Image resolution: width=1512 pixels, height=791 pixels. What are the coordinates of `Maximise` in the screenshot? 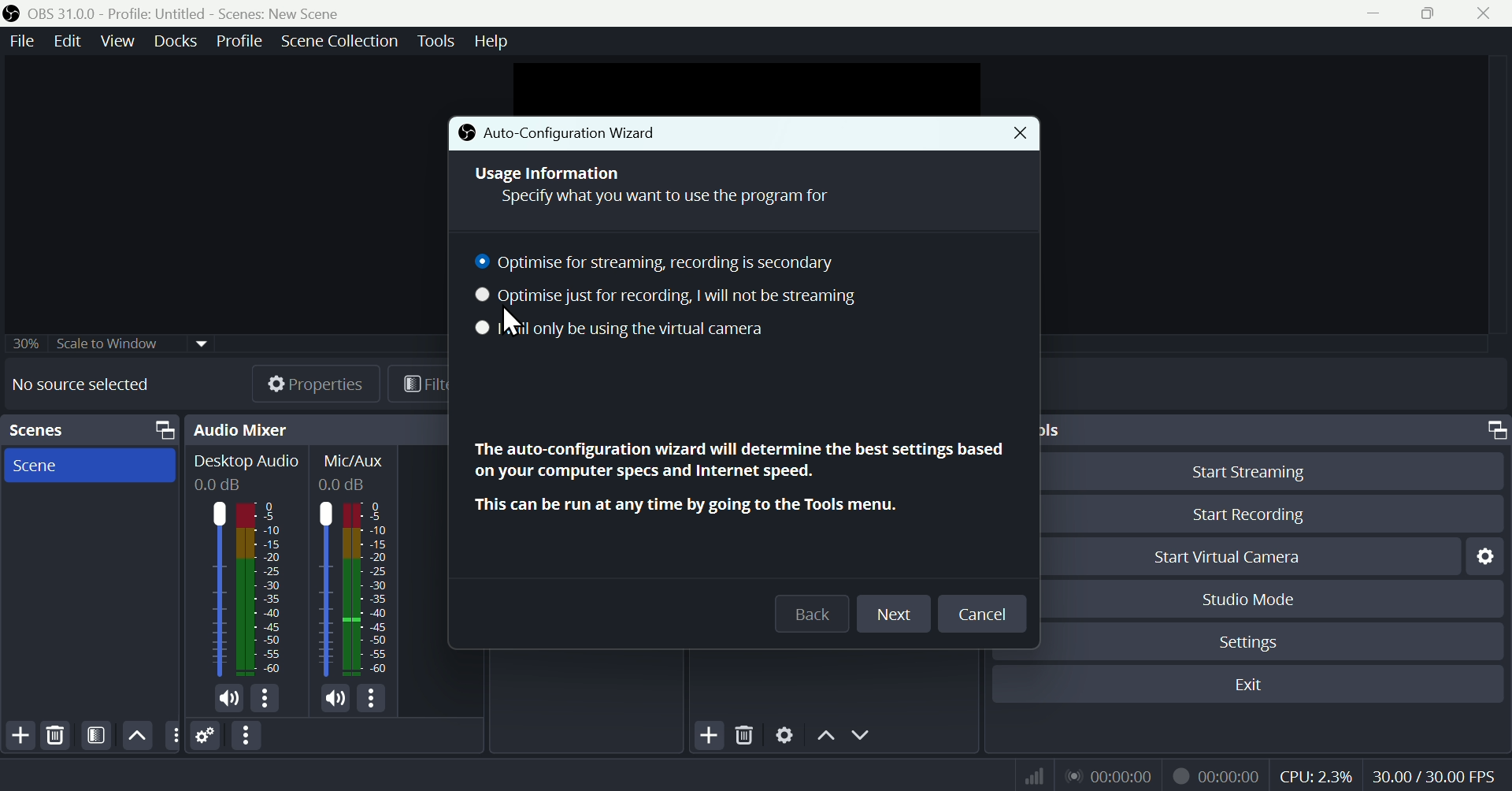 It's located at (1432, 13).